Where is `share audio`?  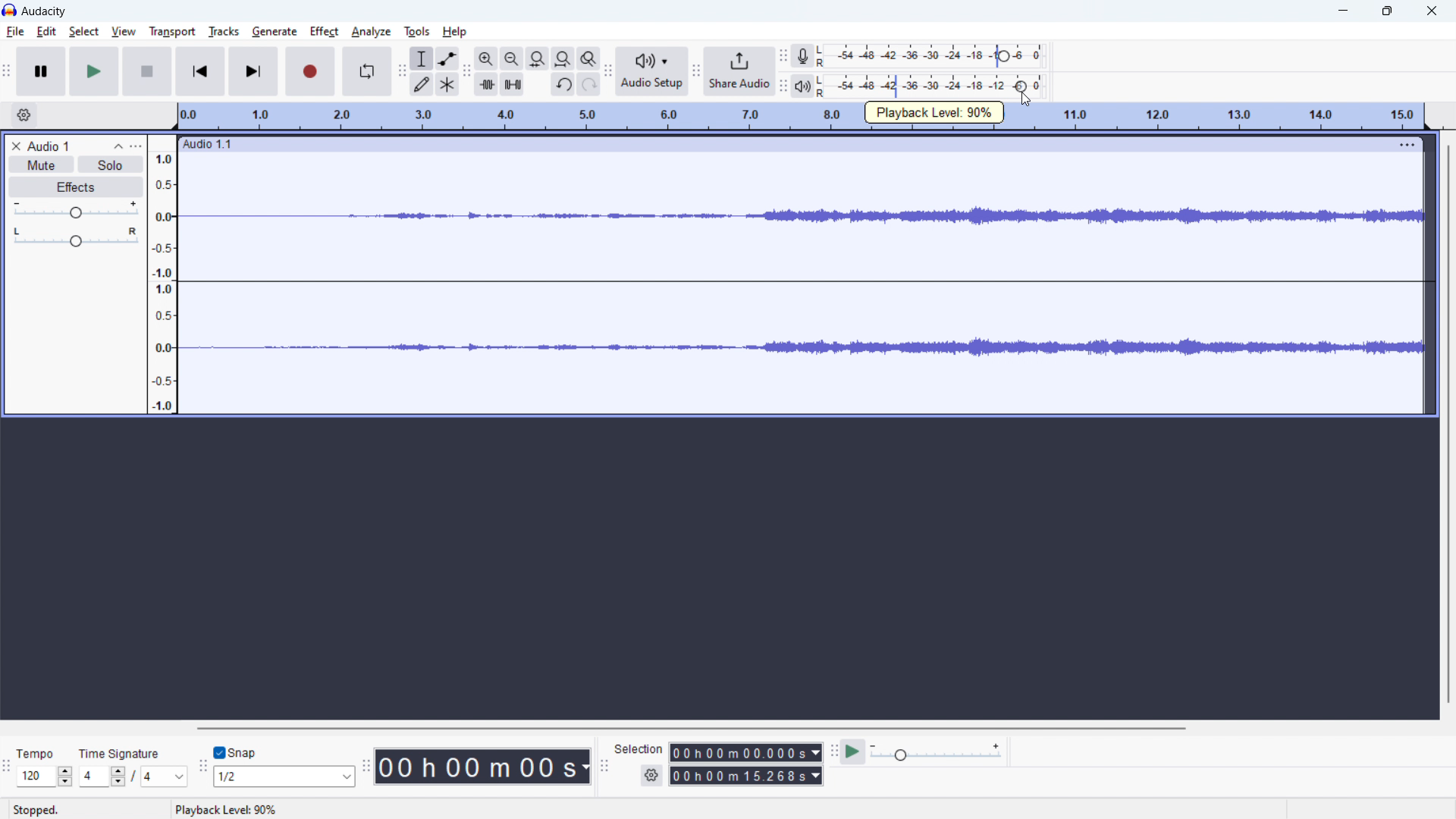
share audio is located at coordinates (739, 71).